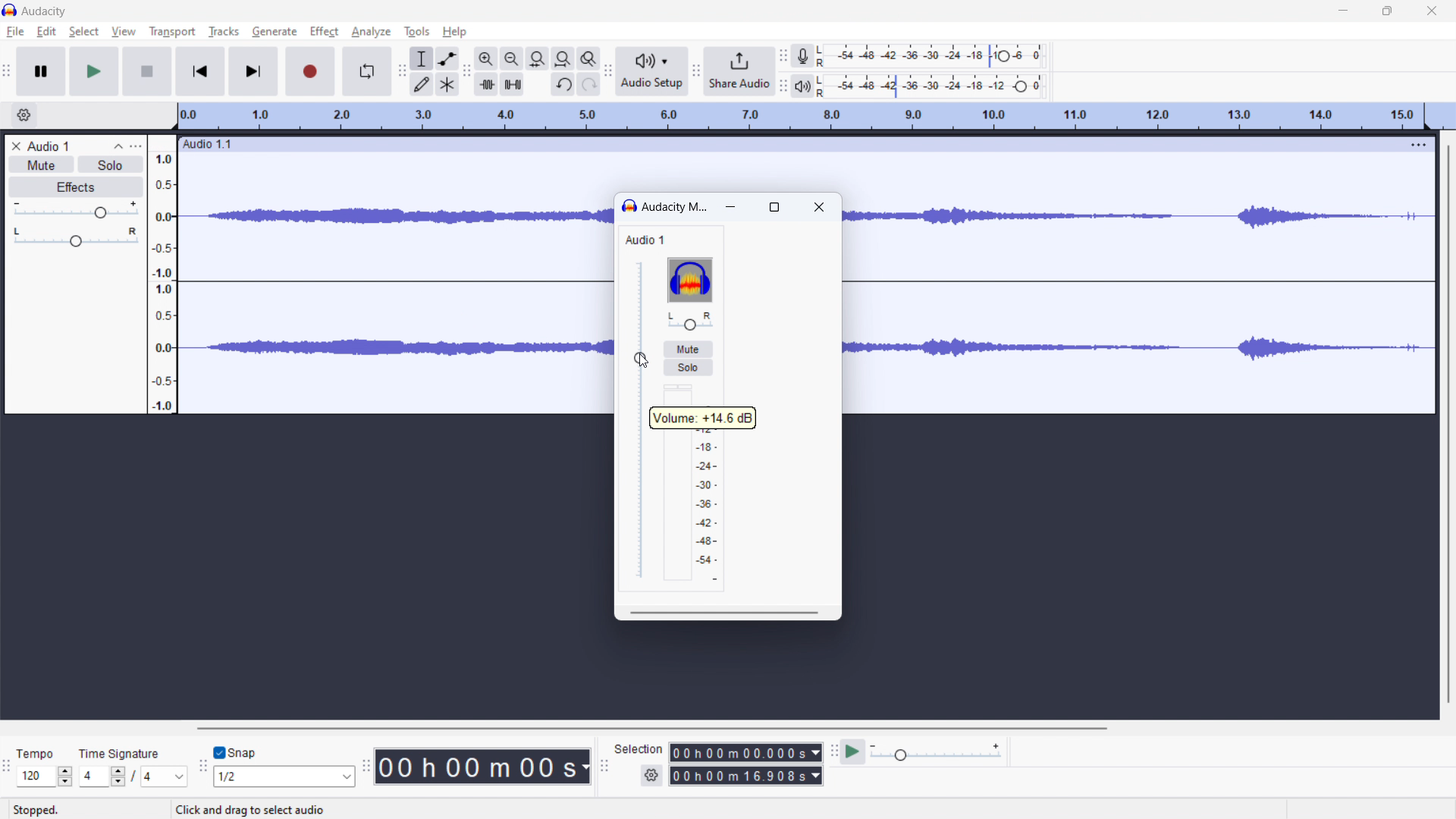 The height and width of the screenshot is (819, 1456). Describe the element at coordinates (111, 165) in the screenshot. I see `solo` at that location.